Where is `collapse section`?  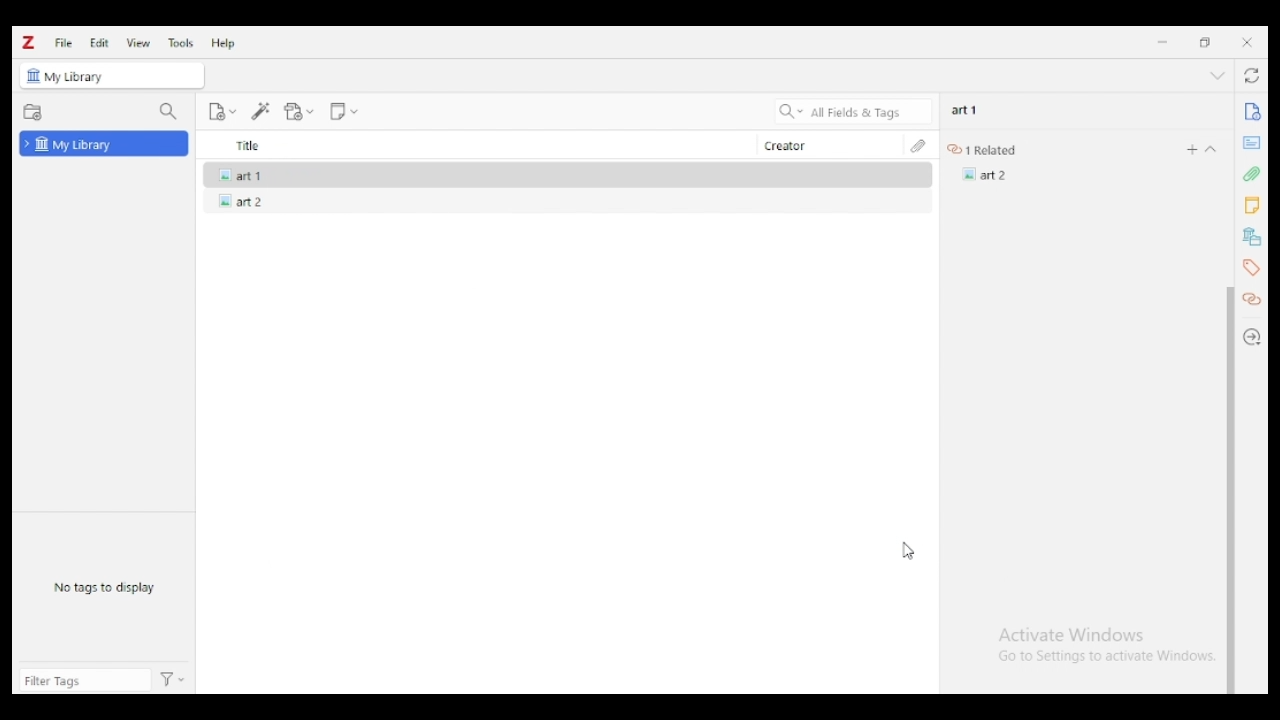 collapse section is located at coordinates (1212, 149).